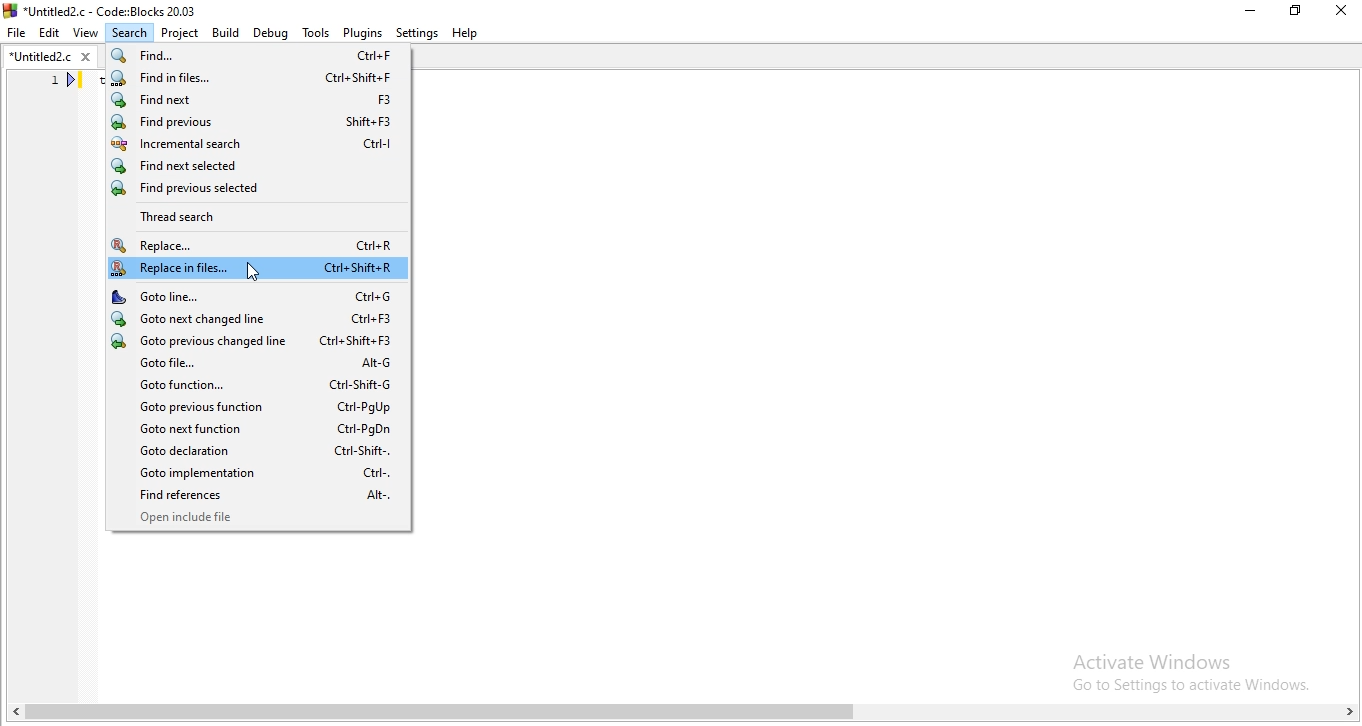 The image size is (1362, 726). Describe the element at coordinates (49, 59) in the screenshot. I see `*untitled2.c` at that location.